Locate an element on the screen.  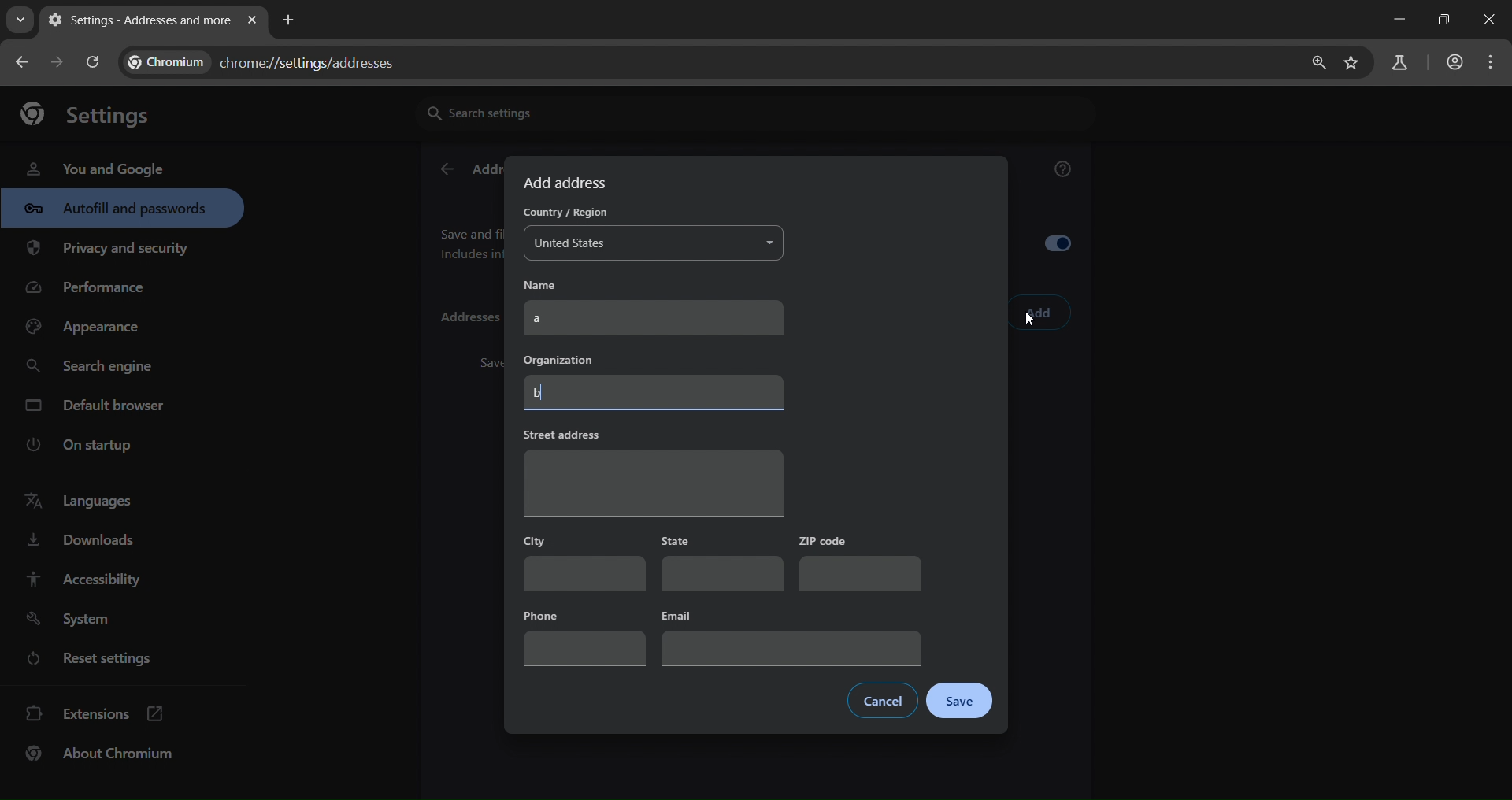
appearance is located at coordinates (88, 328).